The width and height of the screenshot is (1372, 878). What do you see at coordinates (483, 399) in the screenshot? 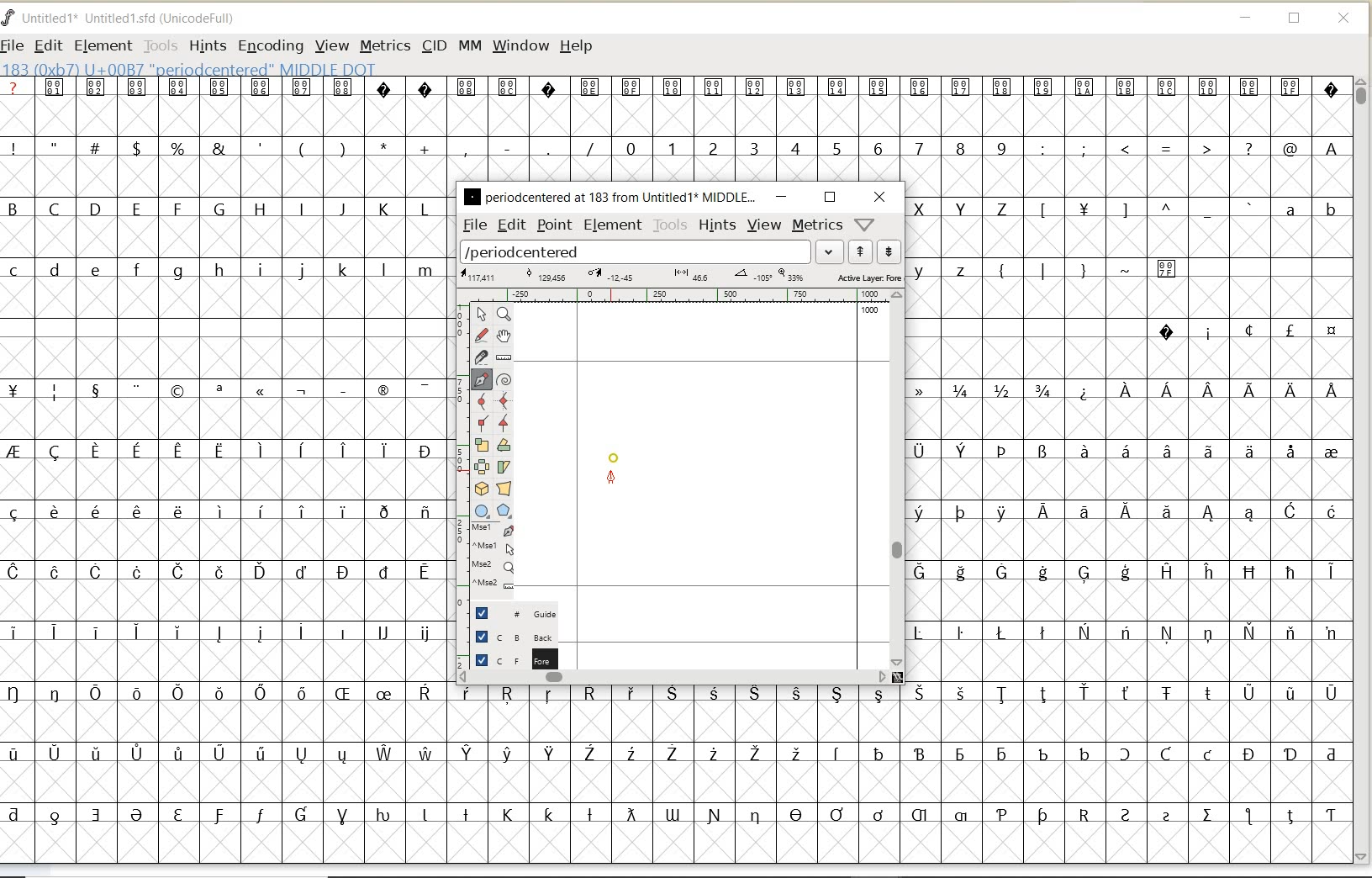
I see `add a curve point` at bounding box center [483, 399].